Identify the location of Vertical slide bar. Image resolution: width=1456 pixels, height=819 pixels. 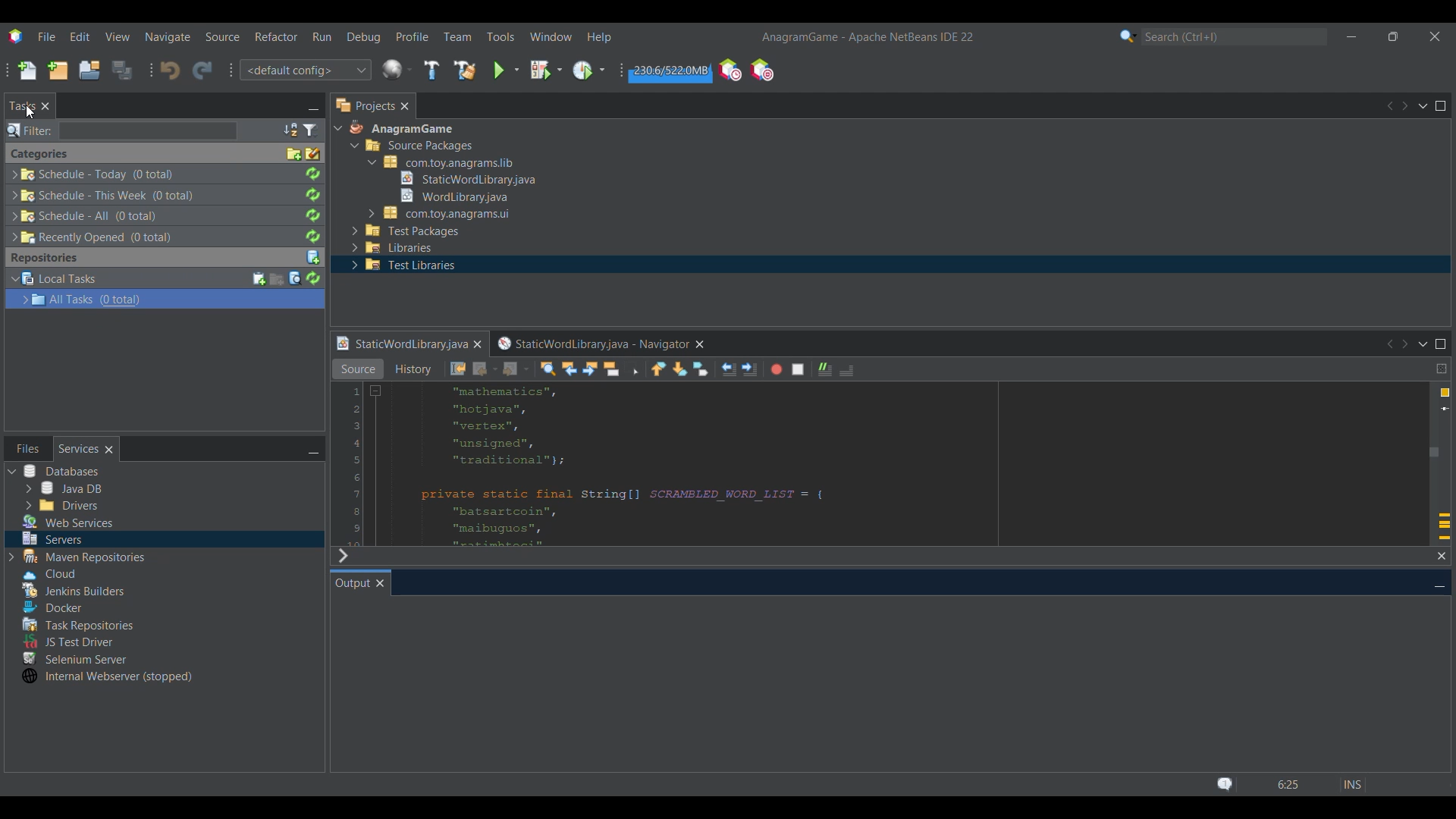
(1434, 441).